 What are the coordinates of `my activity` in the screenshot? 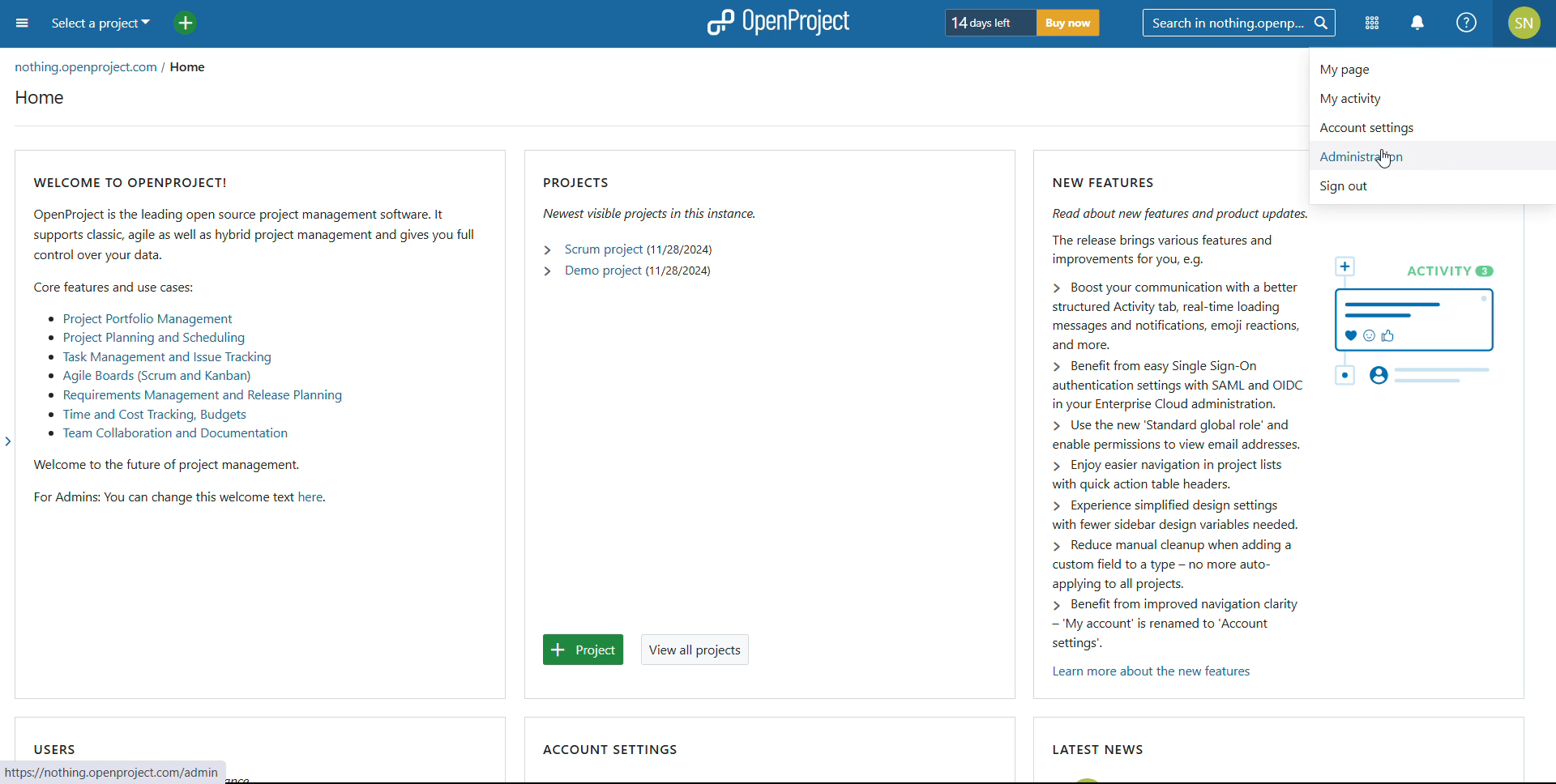 It's located at (1433, 97).